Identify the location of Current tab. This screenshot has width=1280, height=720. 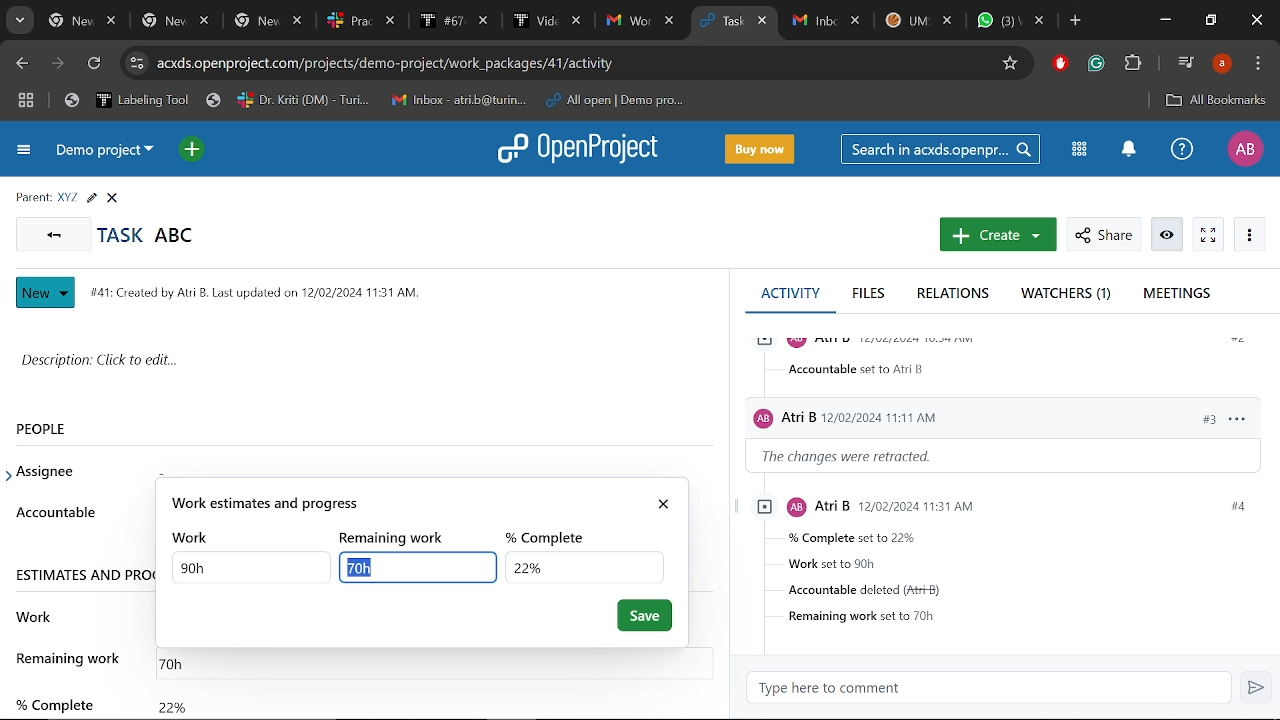
(718, 22).